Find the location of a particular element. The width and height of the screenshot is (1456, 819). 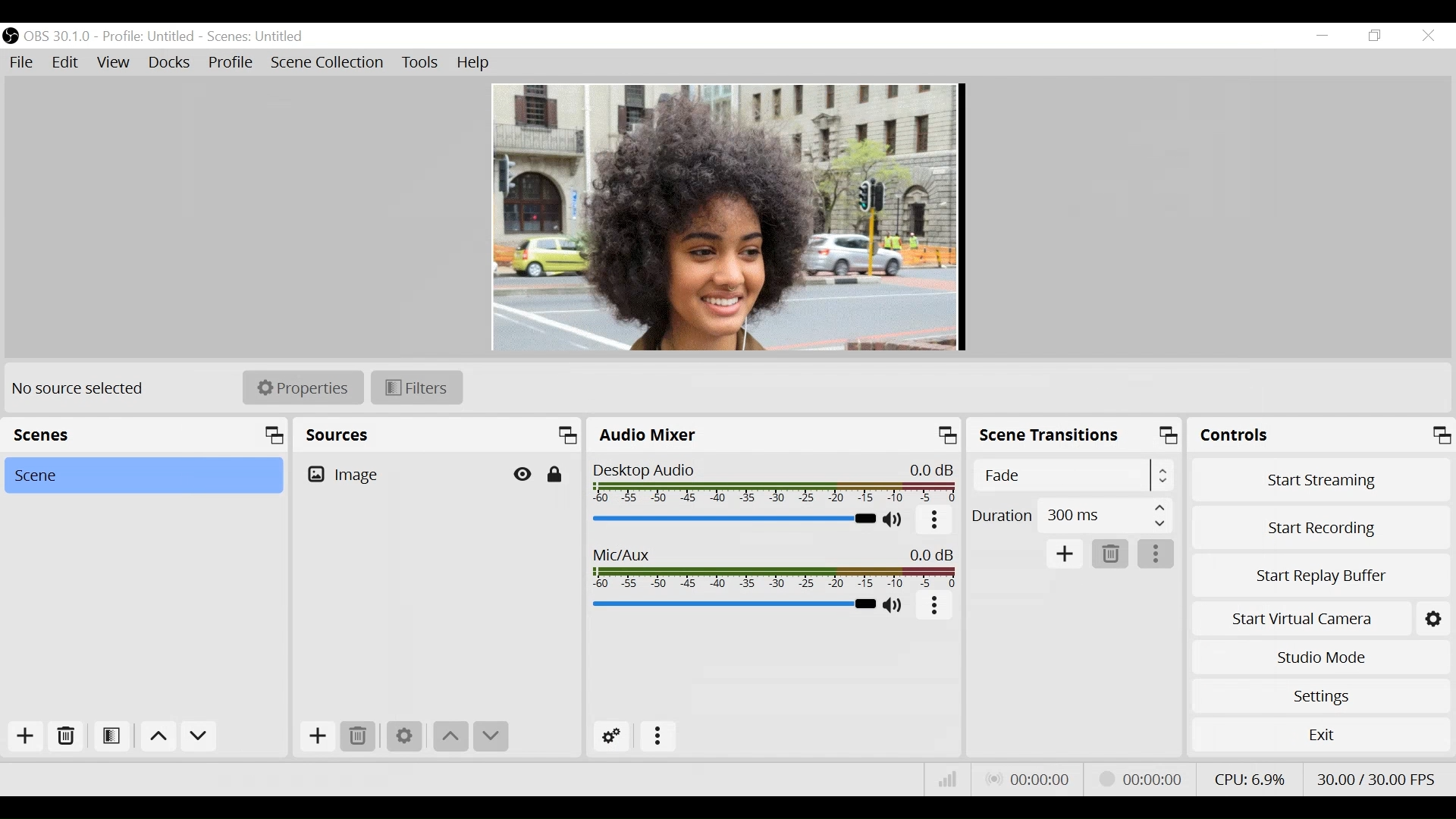

OBS Studio Desktop Icon is located at coordinates (11, 36).